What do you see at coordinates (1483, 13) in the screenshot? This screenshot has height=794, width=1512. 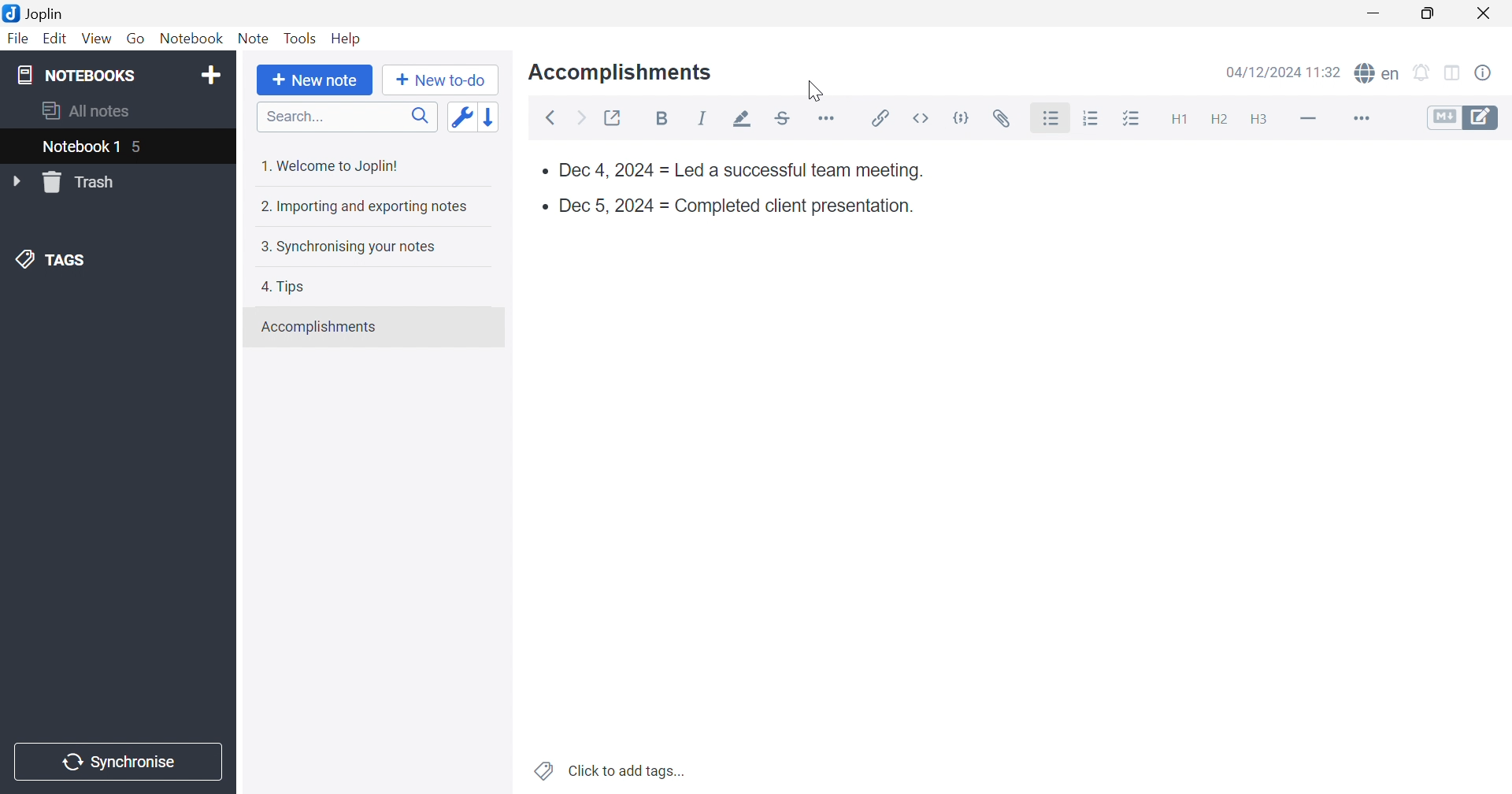 I see `Close` at bounding box center [1483, 13].